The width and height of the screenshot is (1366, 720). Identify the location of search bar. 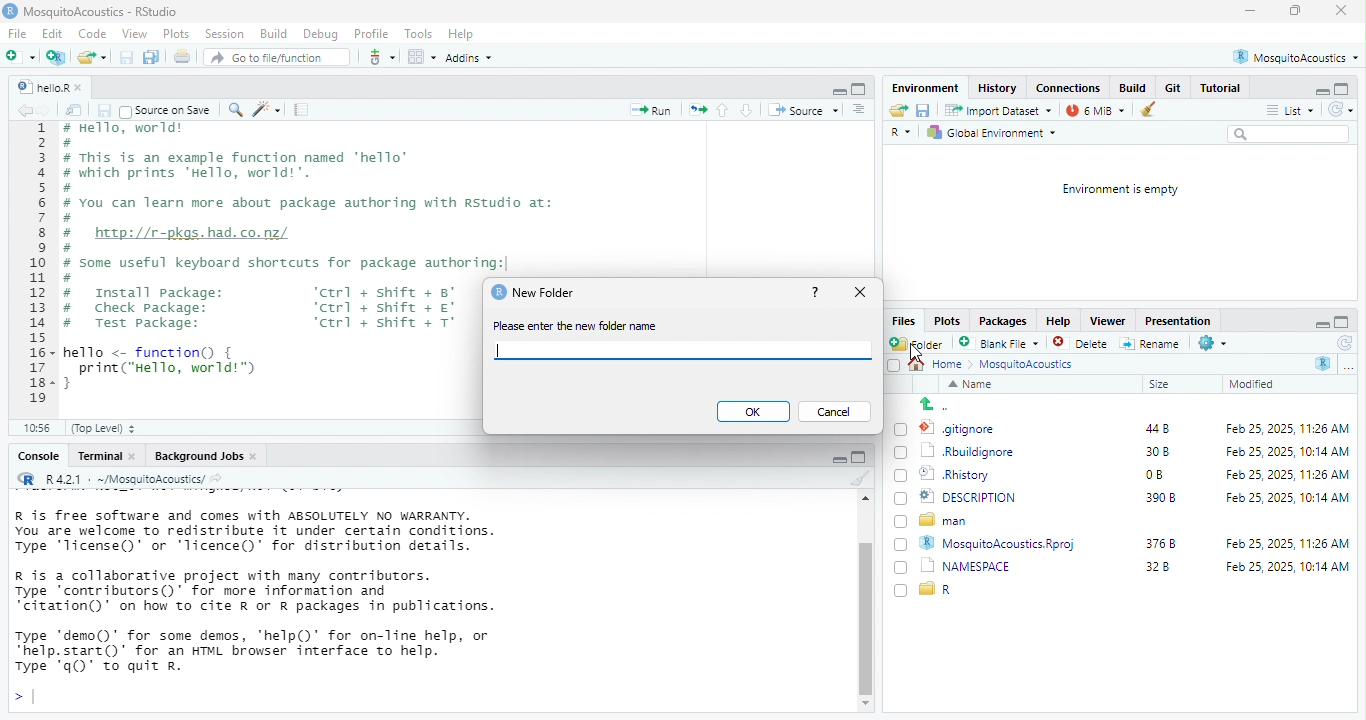
(1290, 136).